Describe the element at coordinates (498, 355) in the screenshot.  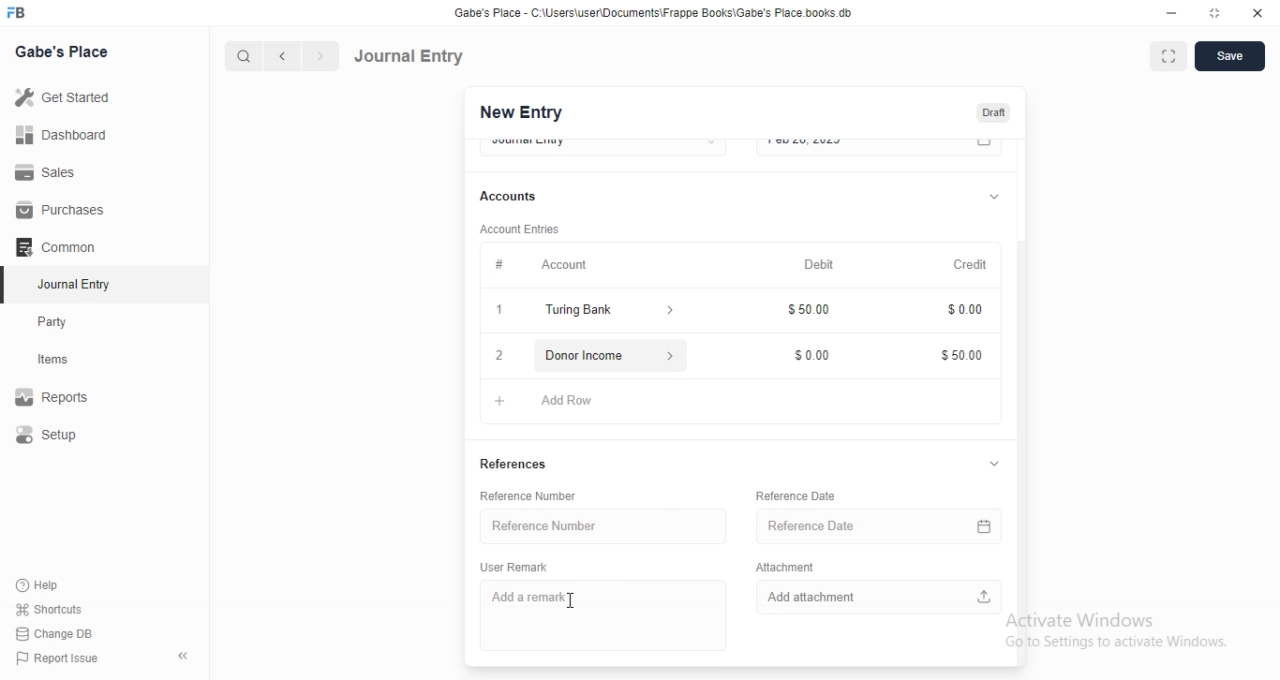
I see `close` at that location.